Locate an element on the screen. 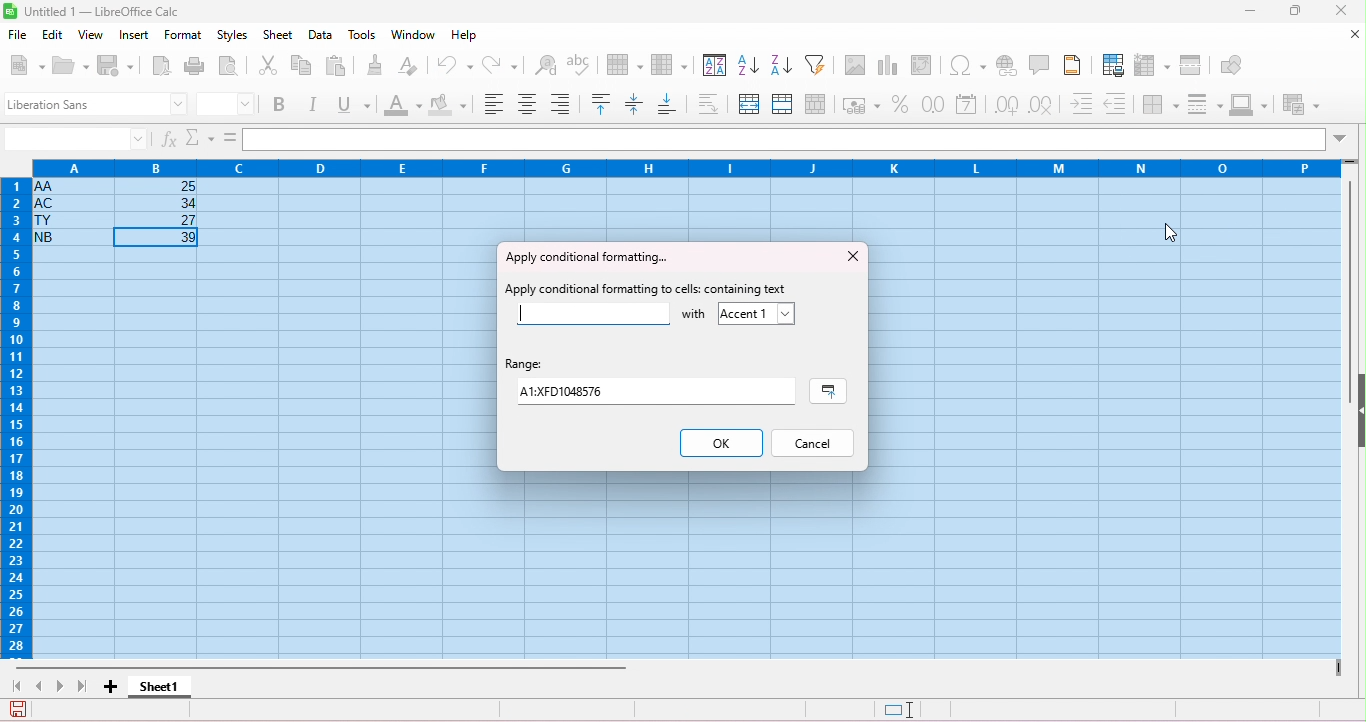 The image size is (1366, 722). insert image is located at coordinates (855, 65).